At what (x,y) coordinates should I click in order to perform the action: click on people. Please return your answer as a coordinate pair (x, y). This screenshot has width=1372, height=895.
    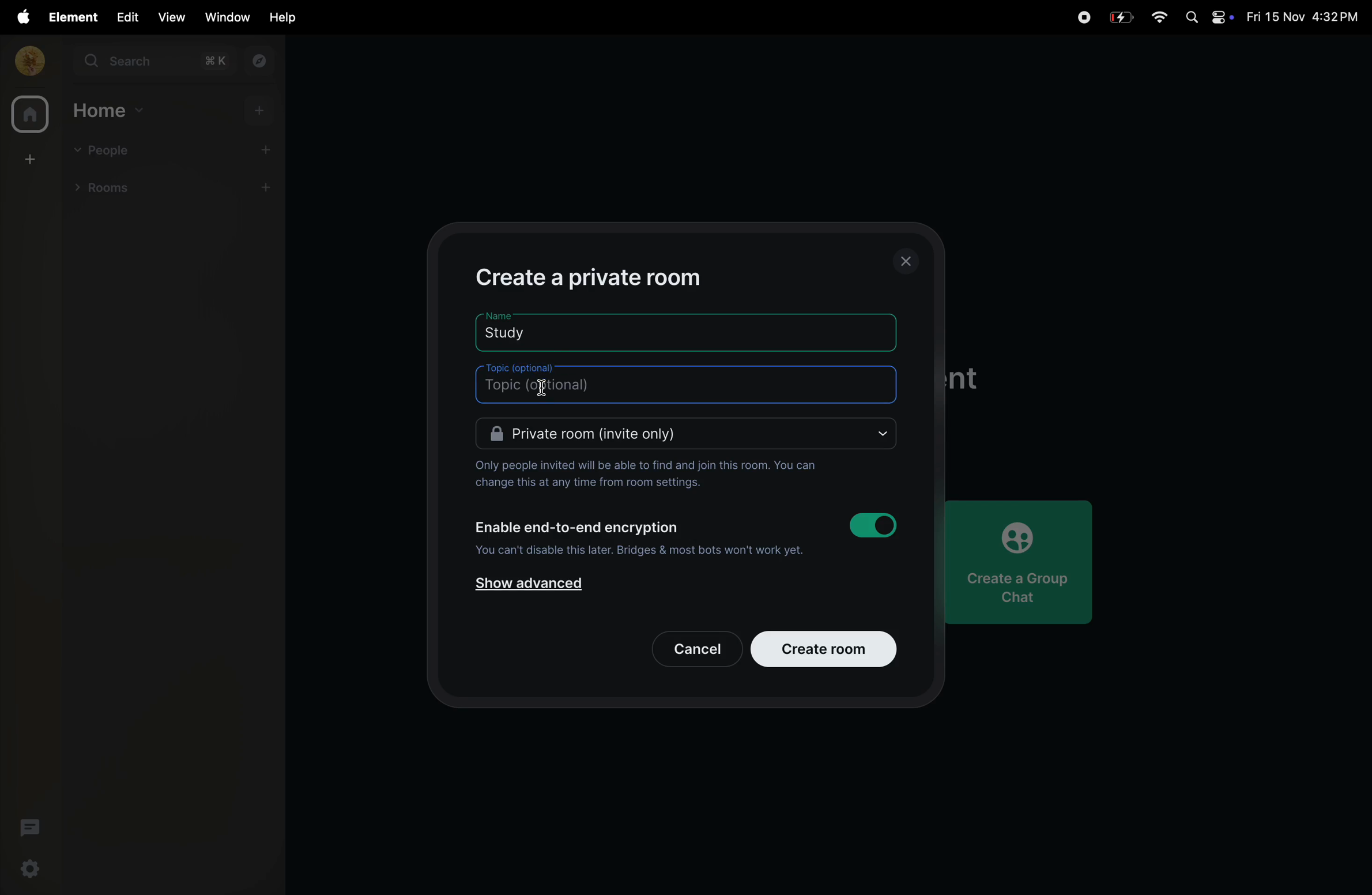
    Looking at the image, I should click on (105, 149).